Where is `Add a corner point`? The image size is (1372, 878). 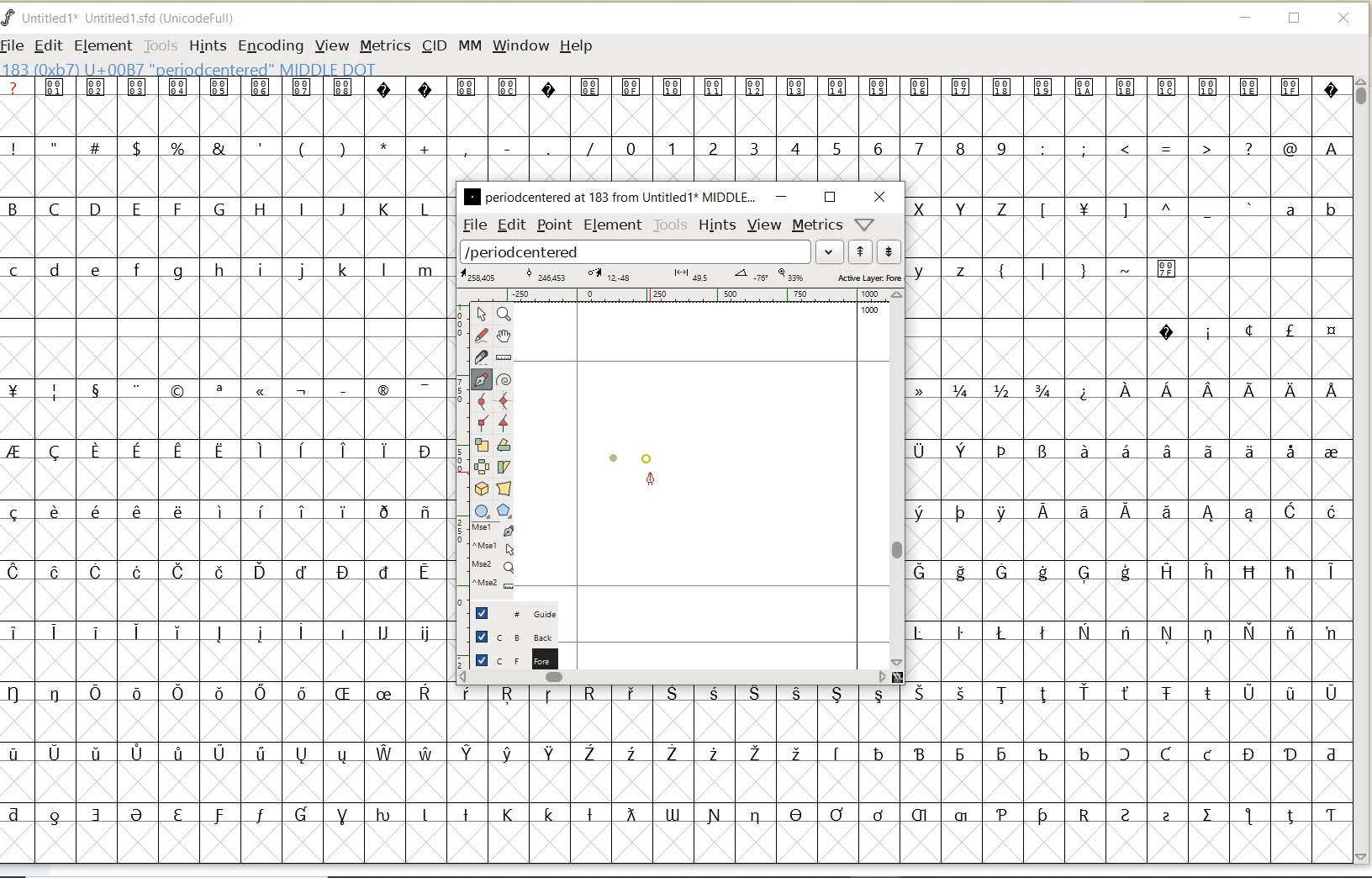
Add a corner point is located at coordinates (481, 422).